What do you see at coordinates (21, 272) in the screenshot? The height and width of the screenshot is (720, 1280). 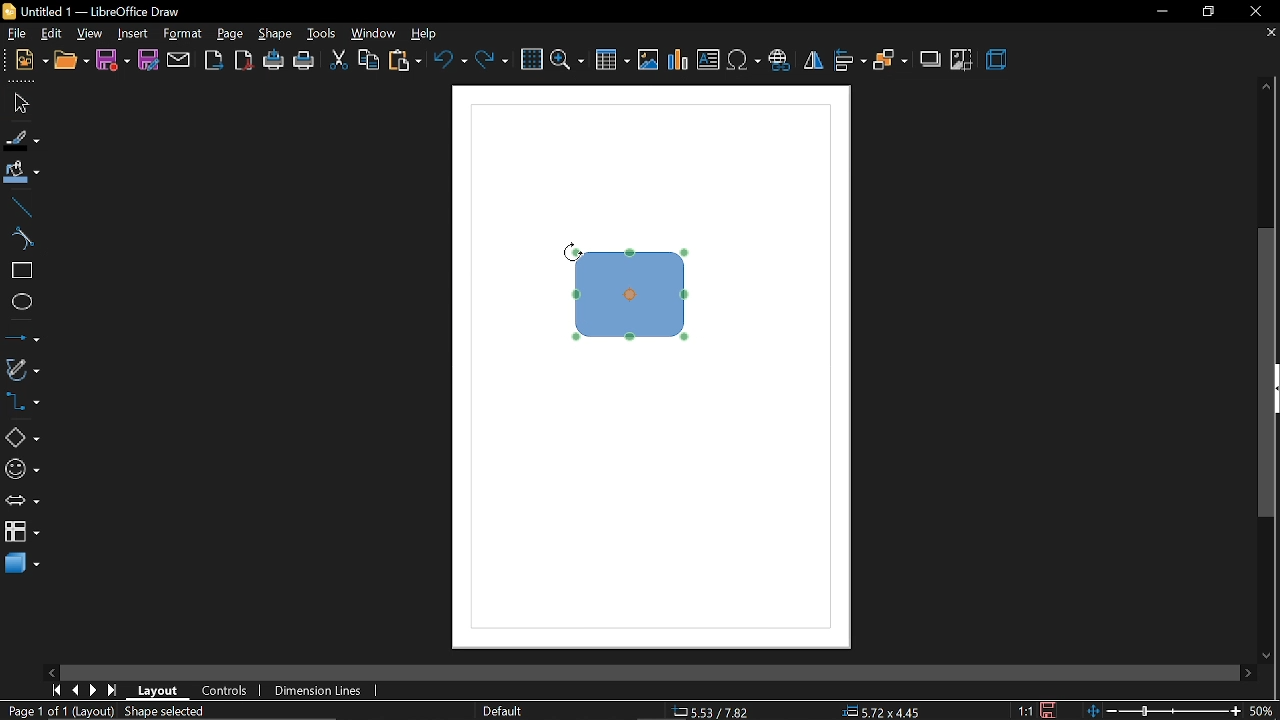 I see `rectangle` at bounding box center [21, 272].